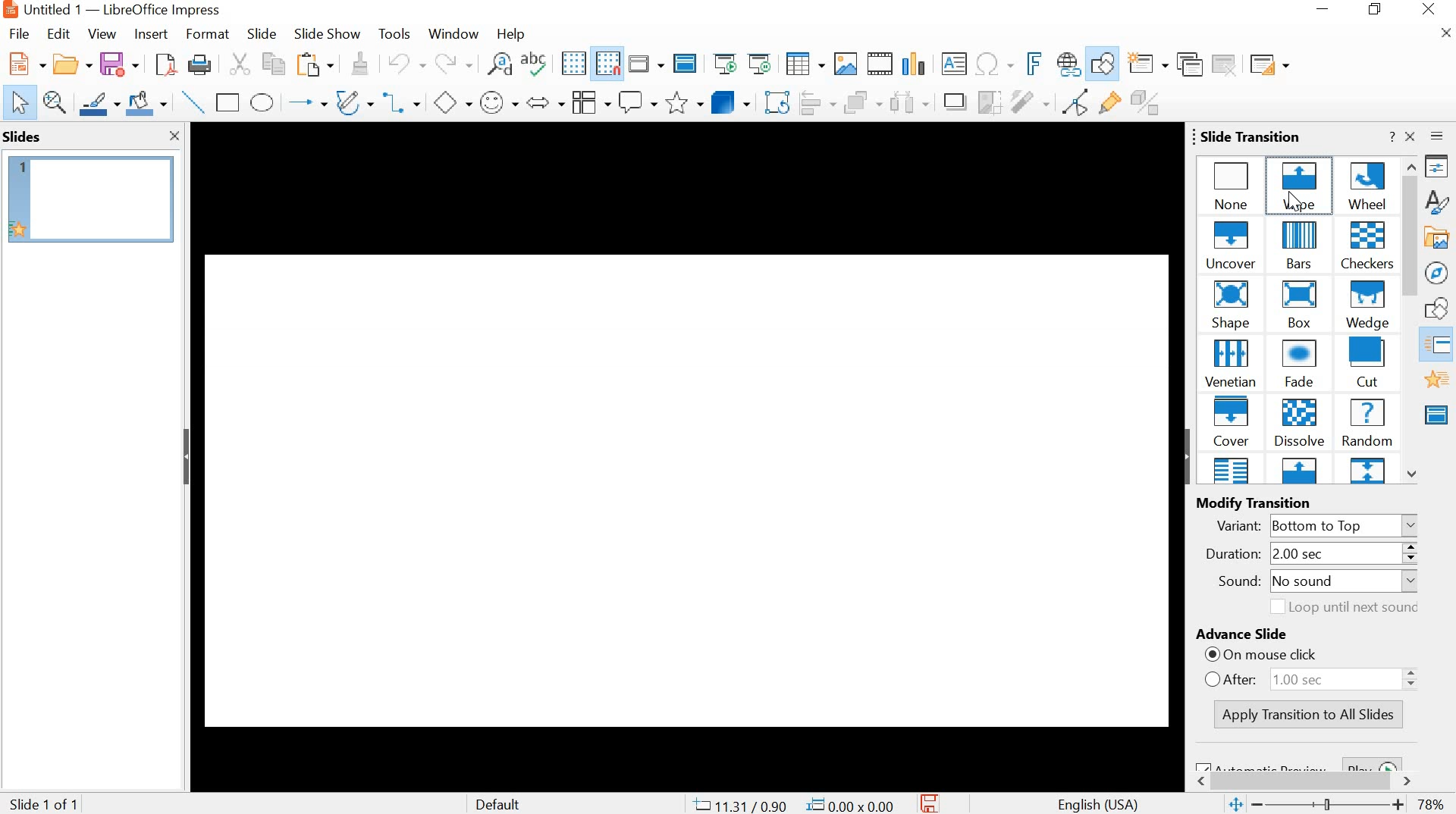 This screenshot has height=814, width=1456. What do you see at coordinates (1320, 524) in the screenshot?
I see `VARIANT` at bounding box center [1320, 524].